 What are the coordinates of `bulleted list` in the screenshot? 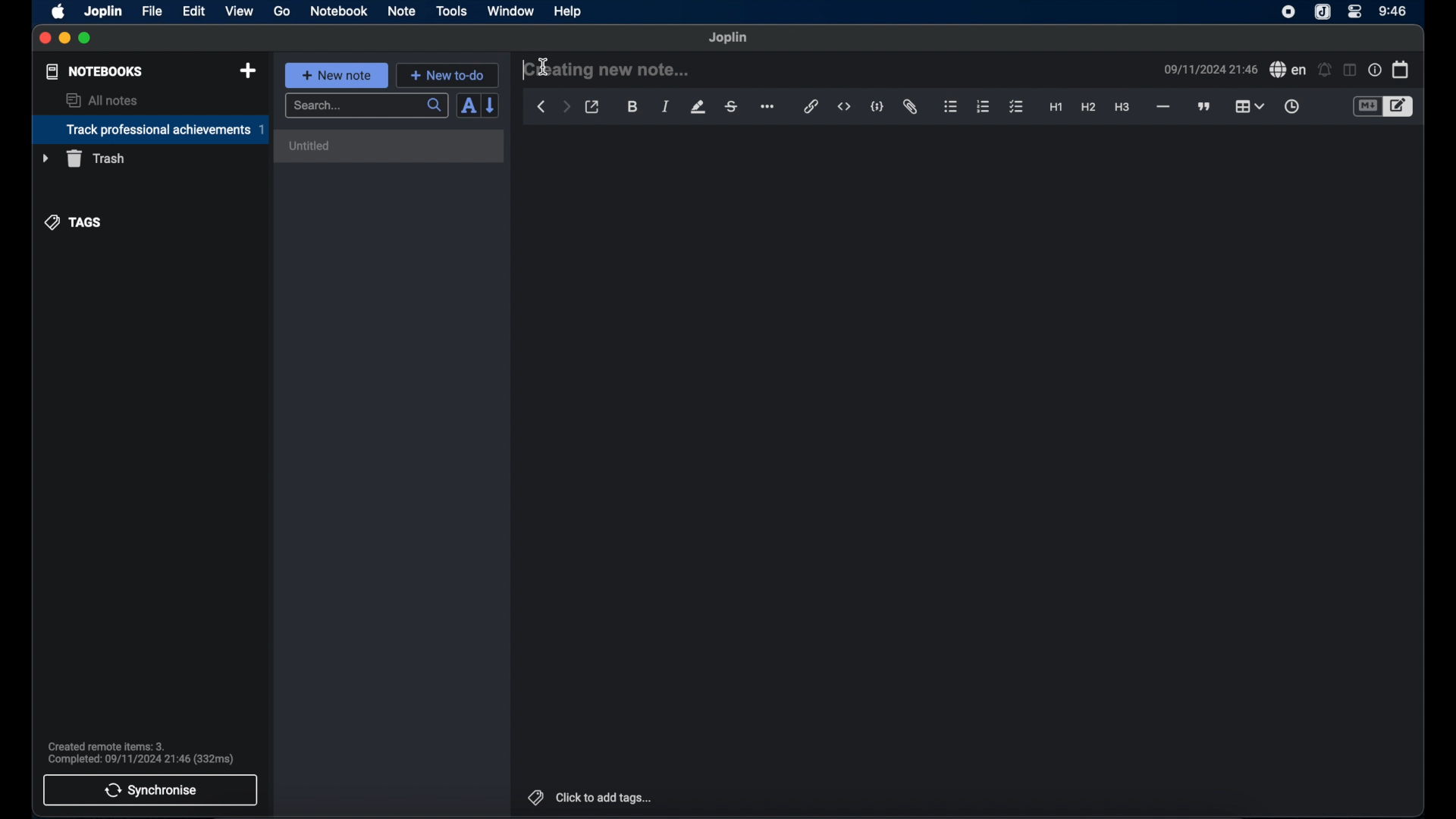 It's located at (951, 108).